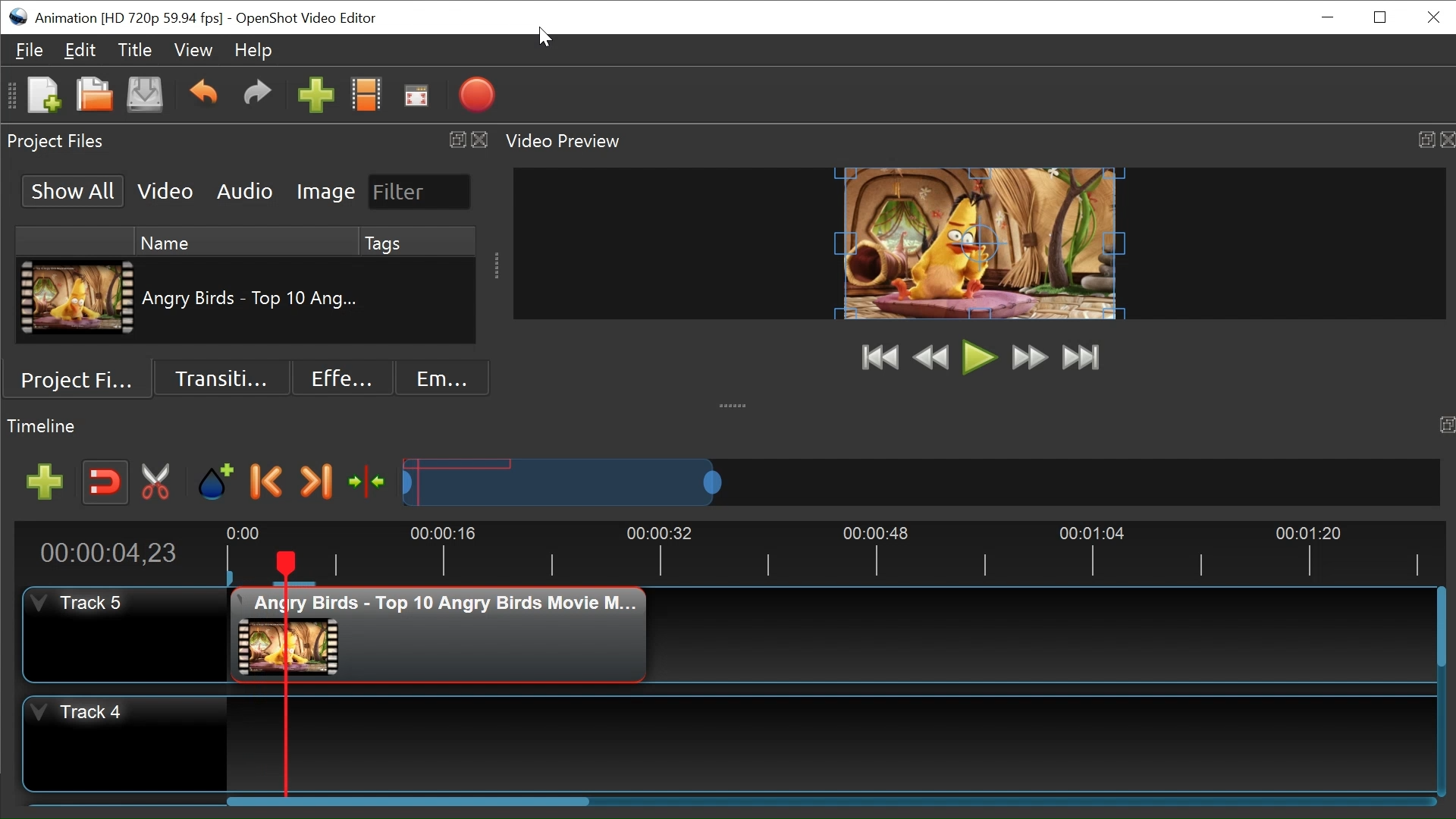 The width and height of the screenshot is (1456, 819). Describe the element at coordinates (130, 19) in the screenshot. I see `Project Name` at that location.